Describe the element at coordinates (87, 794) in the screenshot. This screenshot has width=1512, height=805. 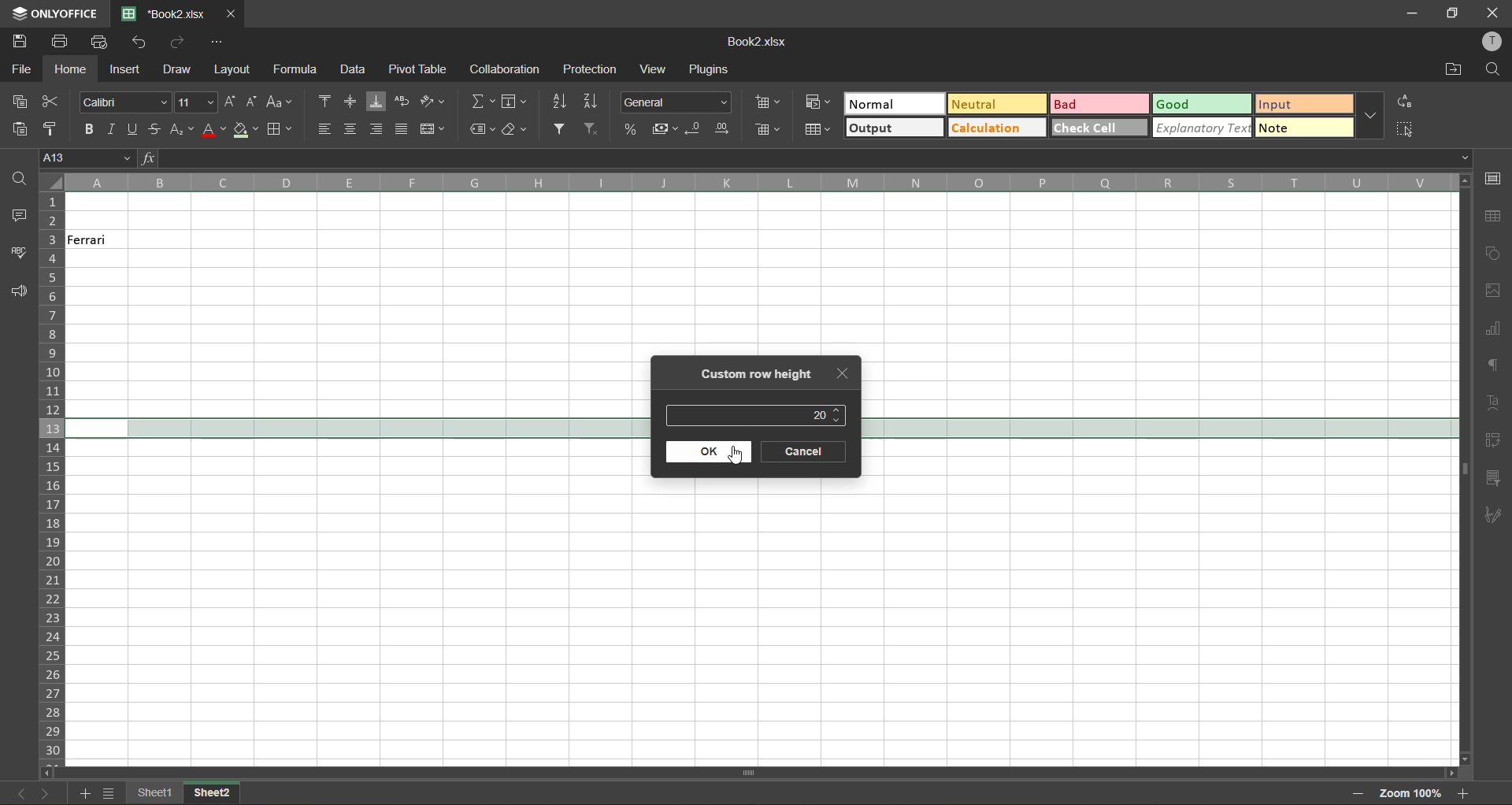
I see `add sheet` at that location.